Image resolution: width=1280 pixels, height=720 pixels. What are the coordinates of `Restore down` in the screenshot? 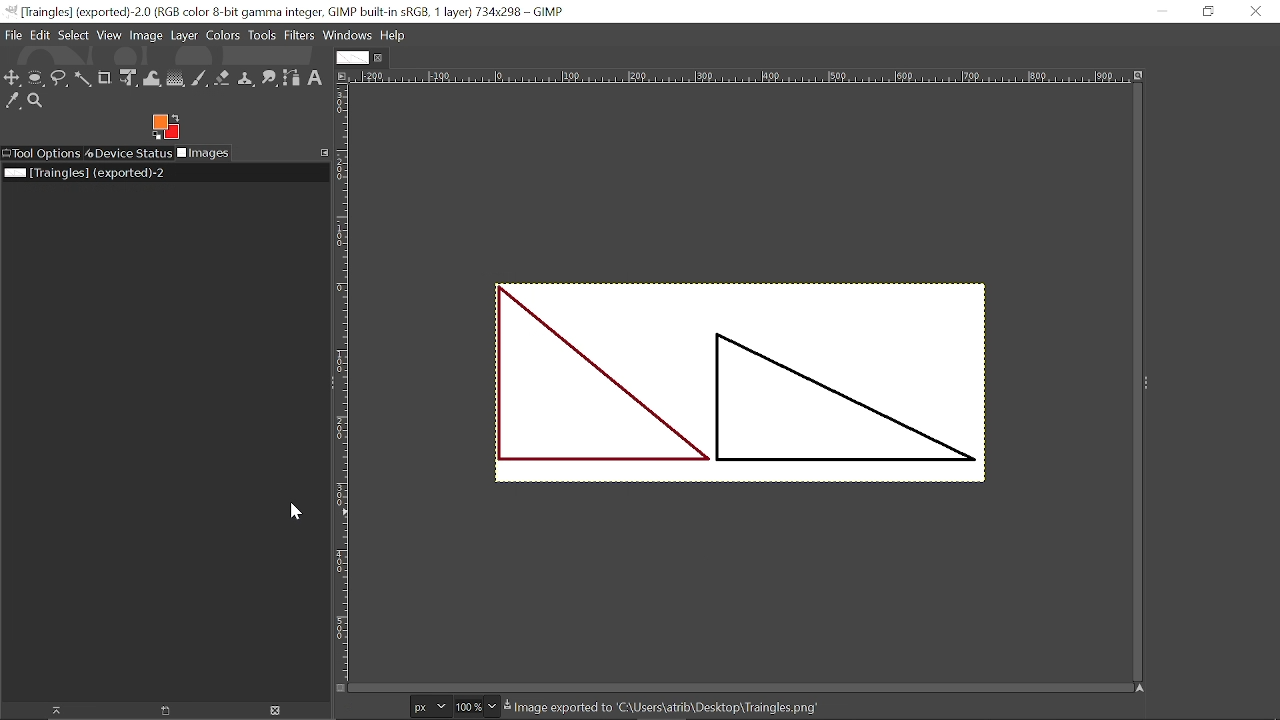 It's located at (1206, 12).